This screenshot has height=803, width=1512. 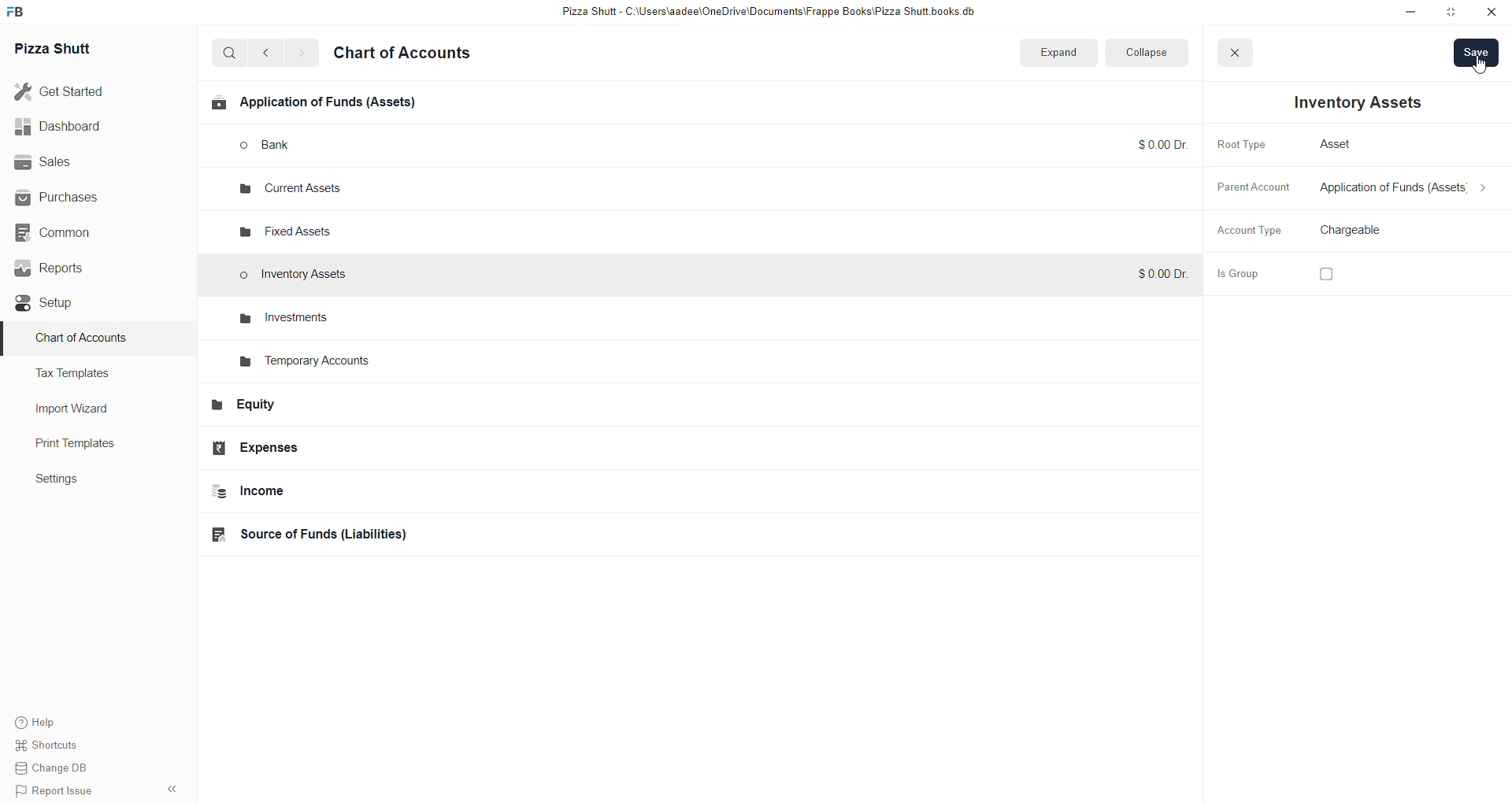 What do you see at coordinates (68, 163) in the screenshot?
I see `Sales ` at bounding box center [68, 163].